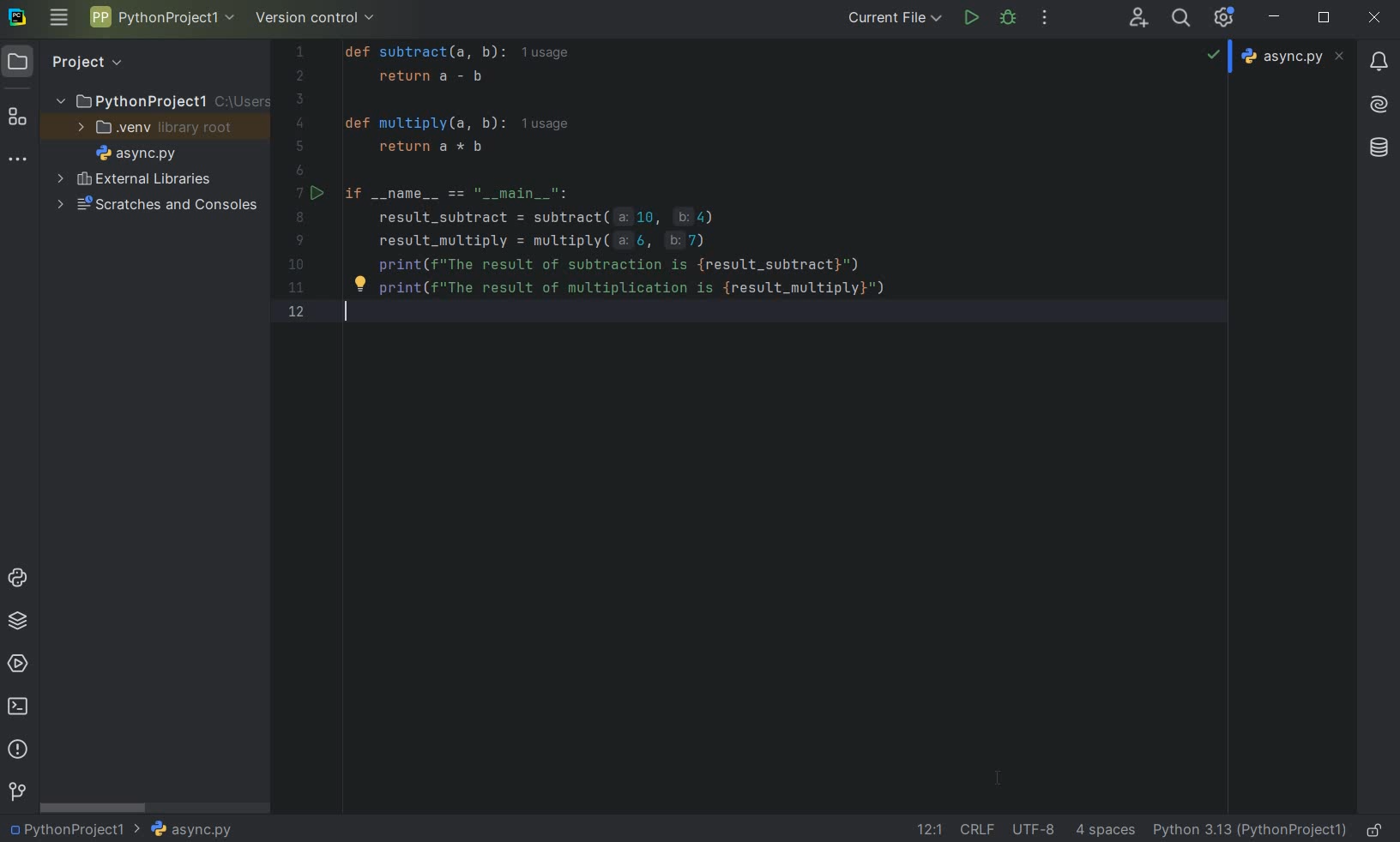 Image resolution: width=1400 pixels, height=842 pixels. What do you see at coordinates (136, 156) in the screenshot?
I see `file name` at bounding box center [136, 156].